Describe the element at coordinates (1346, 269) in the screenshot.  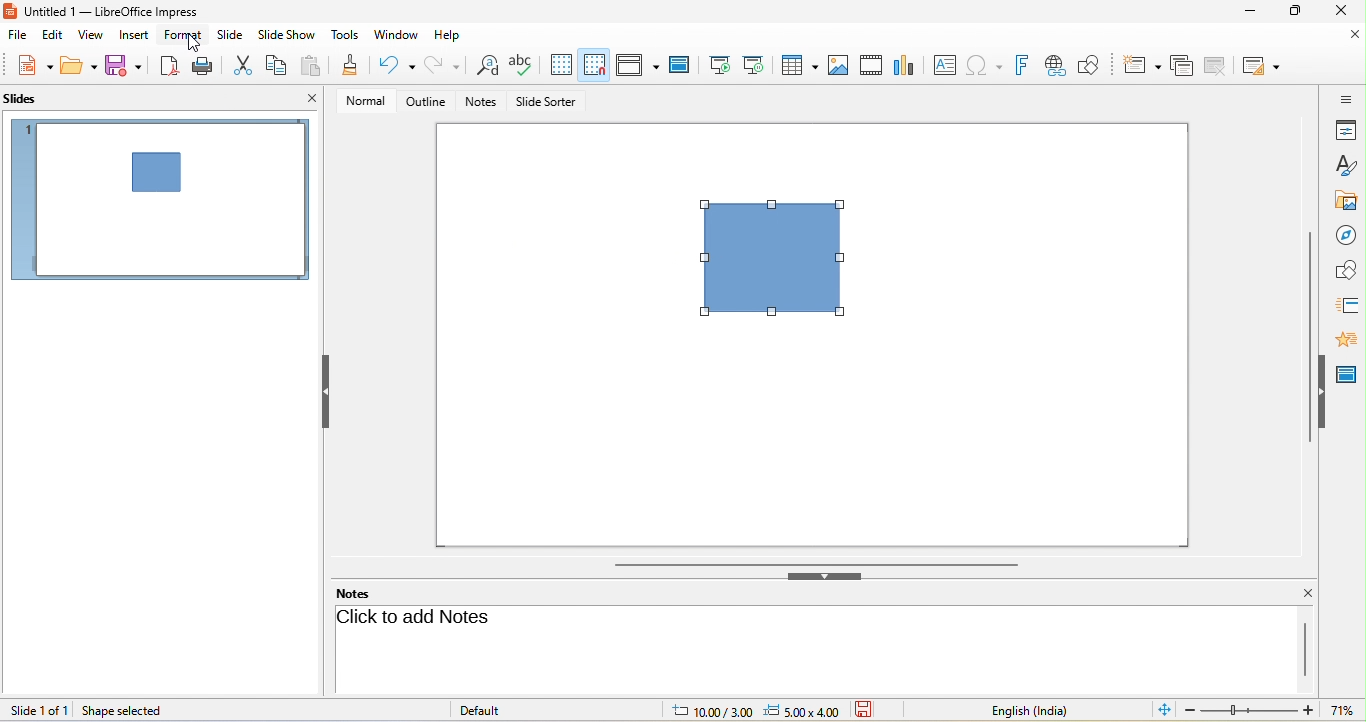
I see `shapes` at that location.